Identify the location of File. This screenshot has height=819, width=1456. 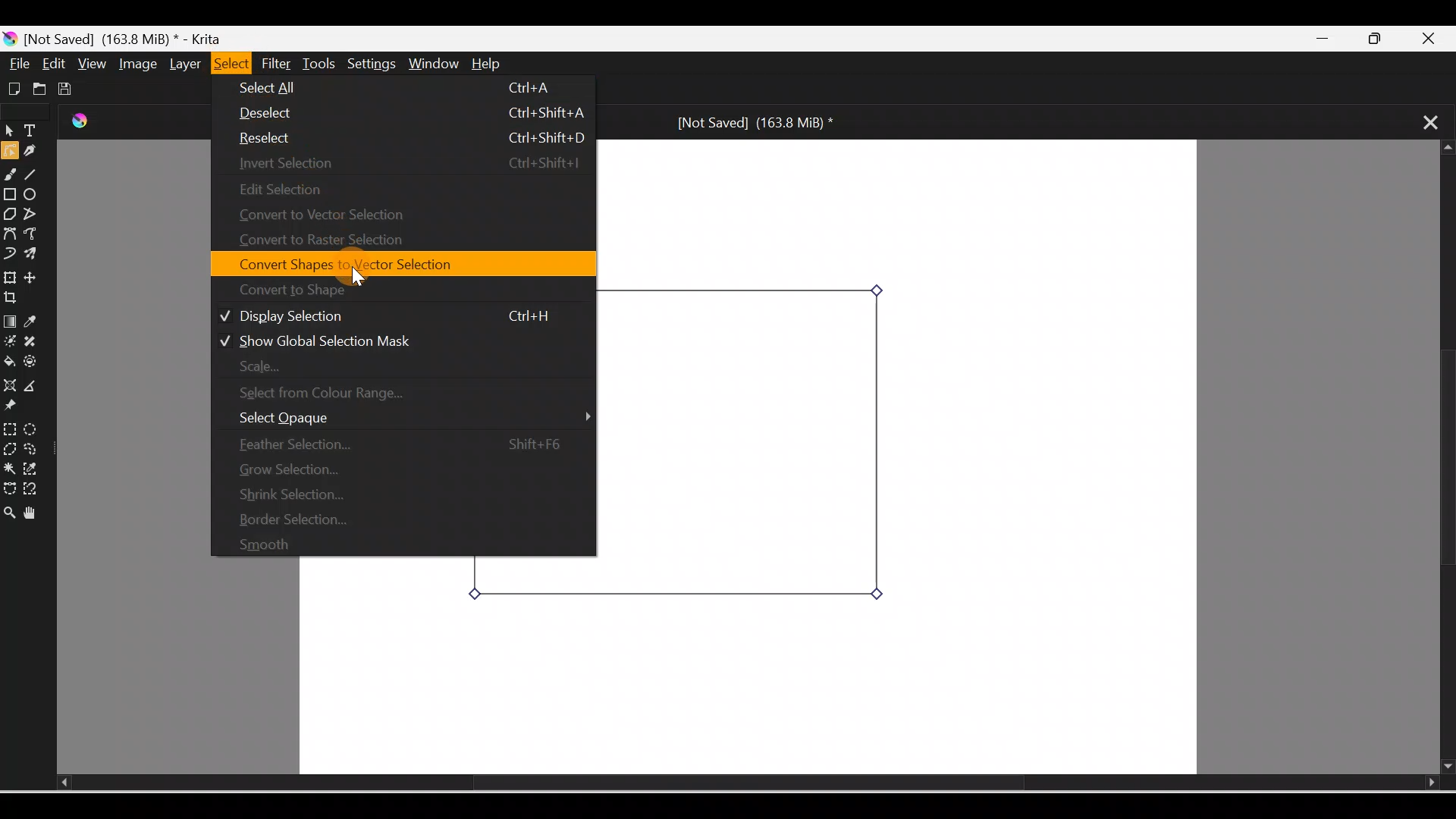
(20, 64).